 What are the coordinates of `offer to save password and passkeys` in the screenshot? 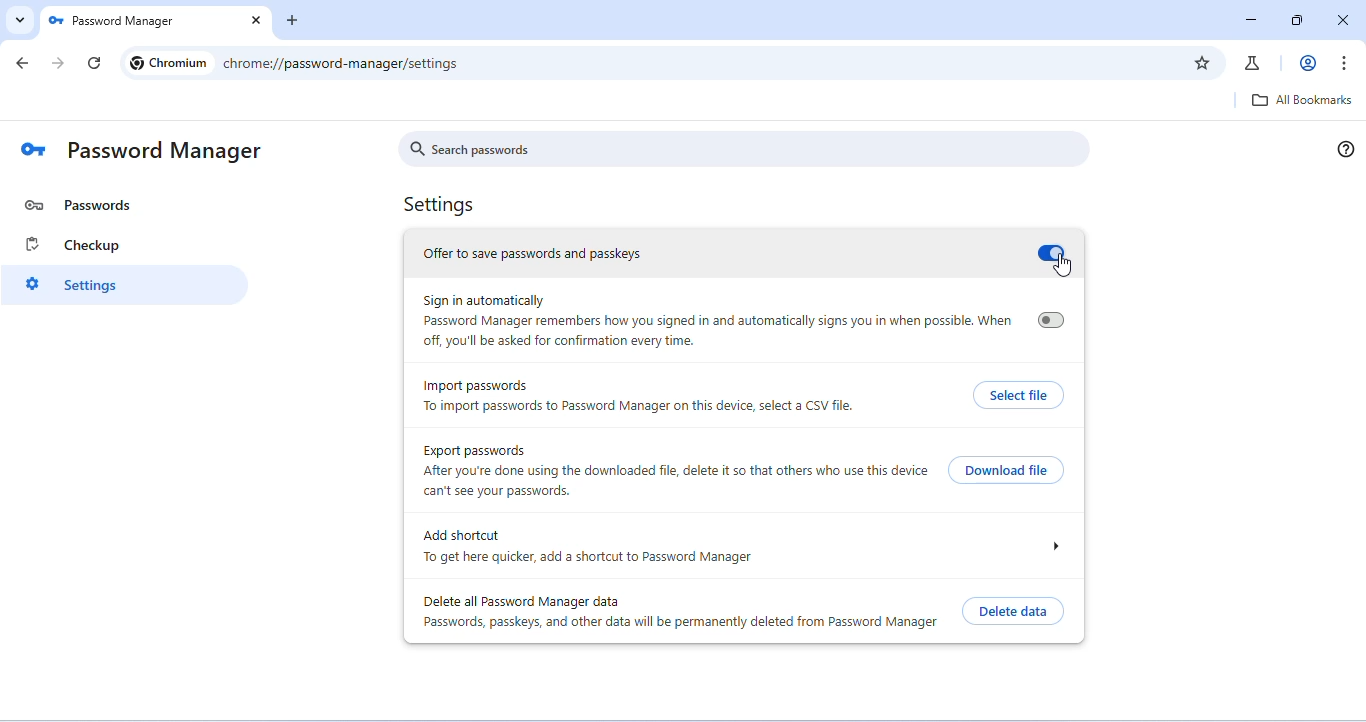 It's located at (535, 255).